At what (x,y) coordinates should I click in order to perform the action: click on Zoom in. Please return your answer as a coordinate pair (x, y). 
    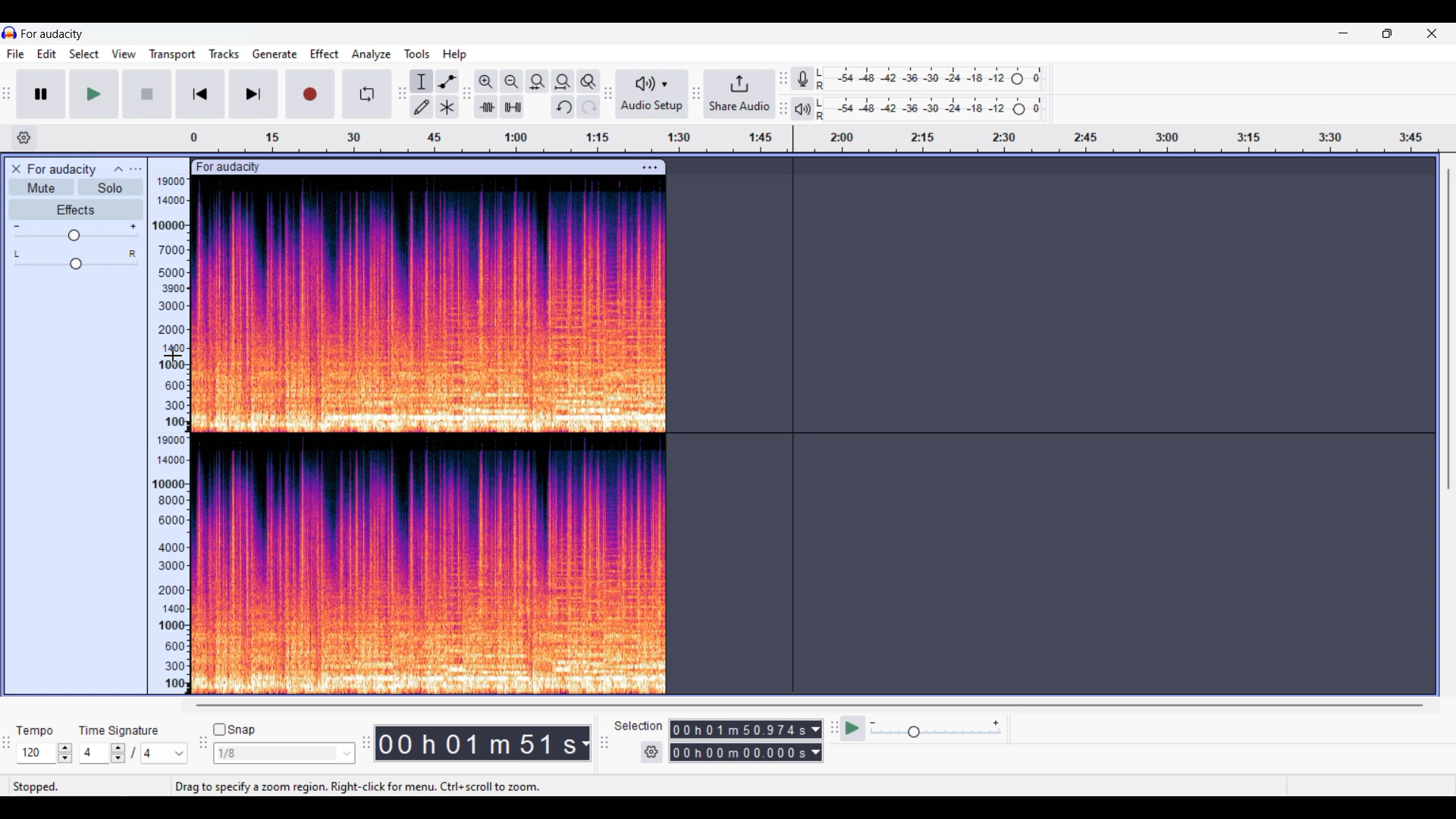
    Looking at the image, I should click on (486, 82).